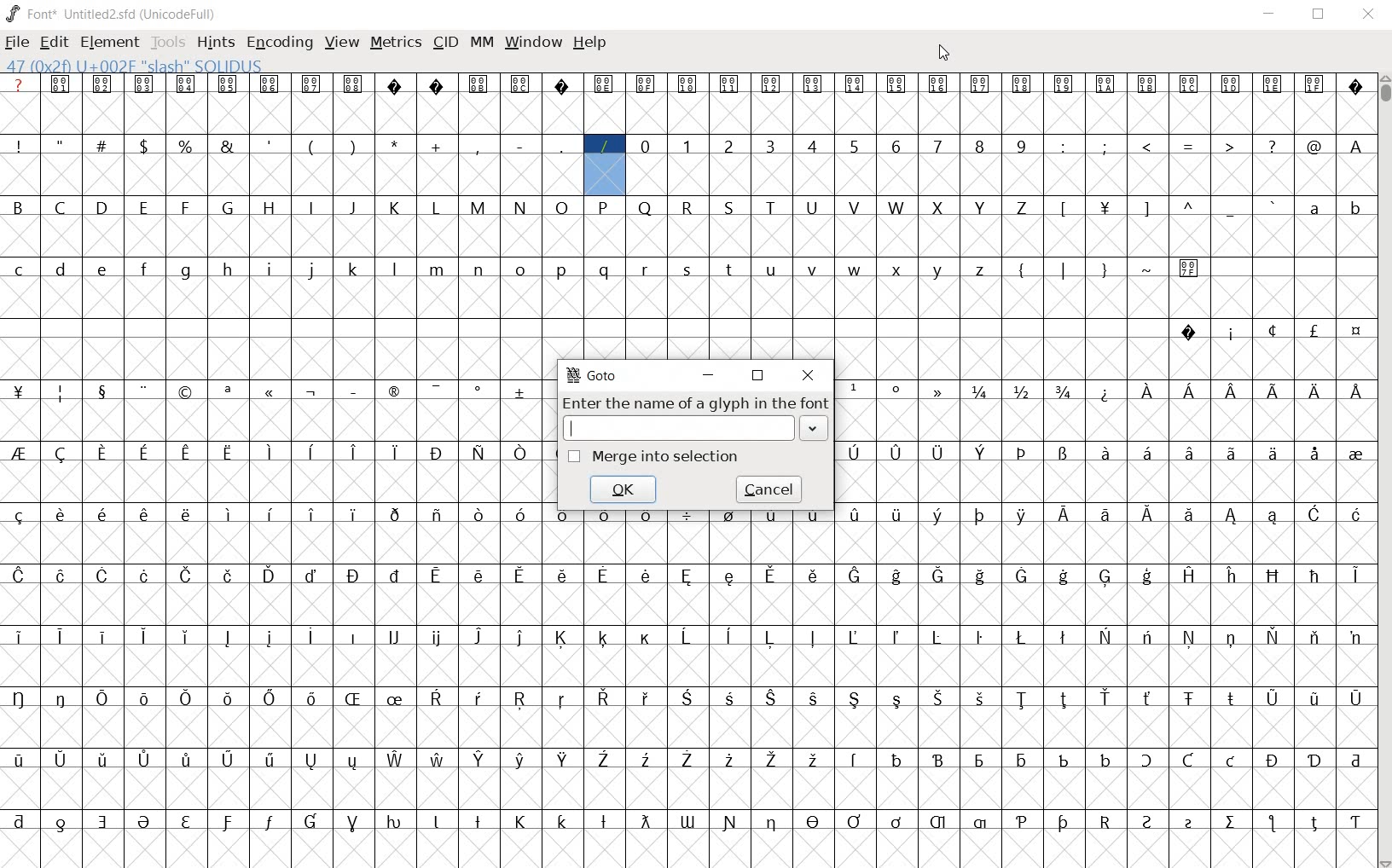 The image size is (1392, 868). Describe the element at coordinates (979, 638) in the screenshot. I see `glyph` at that location.